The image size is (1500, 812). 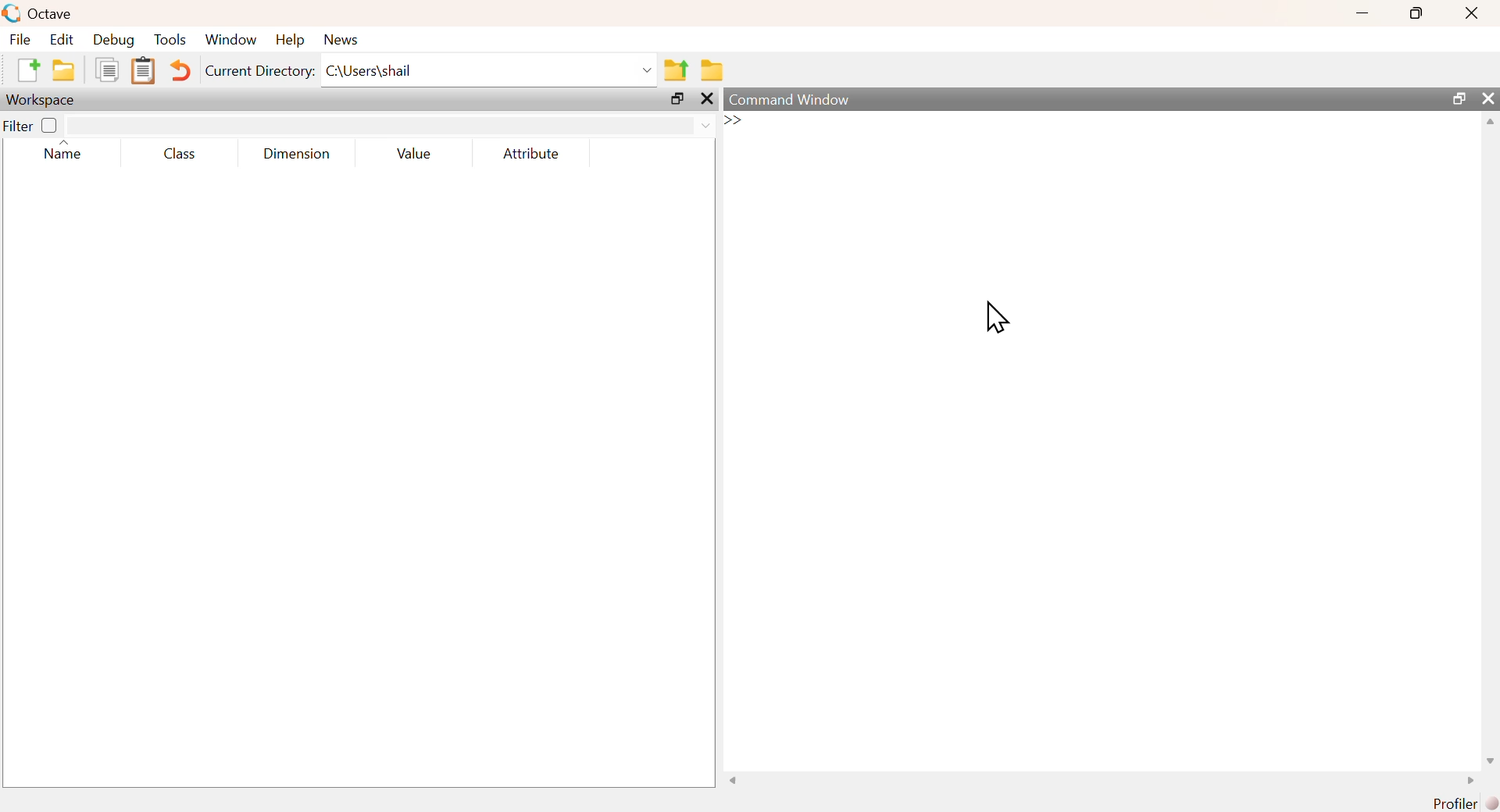 I want to click on Attribute, so click(x=533, y=154).